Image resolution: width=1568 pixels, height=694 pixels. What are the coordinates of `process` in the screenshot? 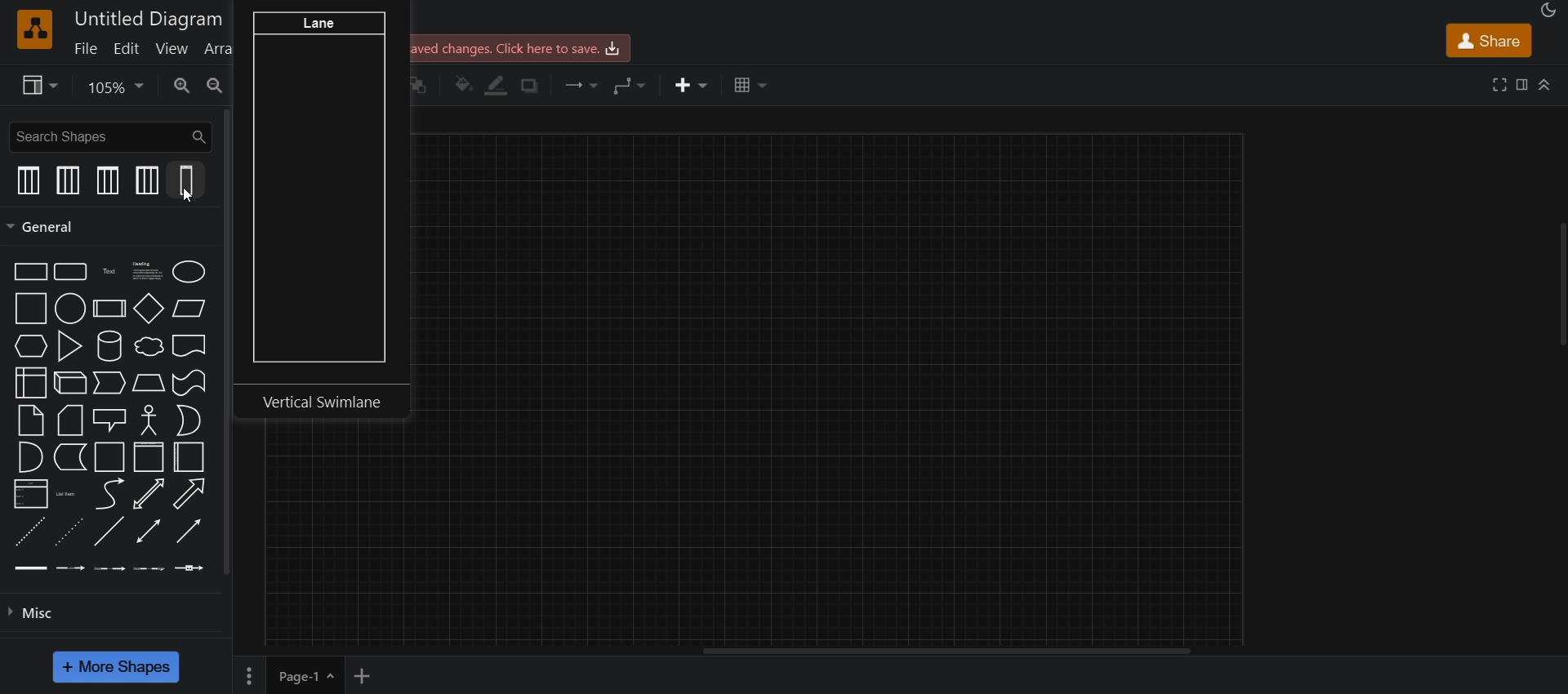 It's located at (110, 309).